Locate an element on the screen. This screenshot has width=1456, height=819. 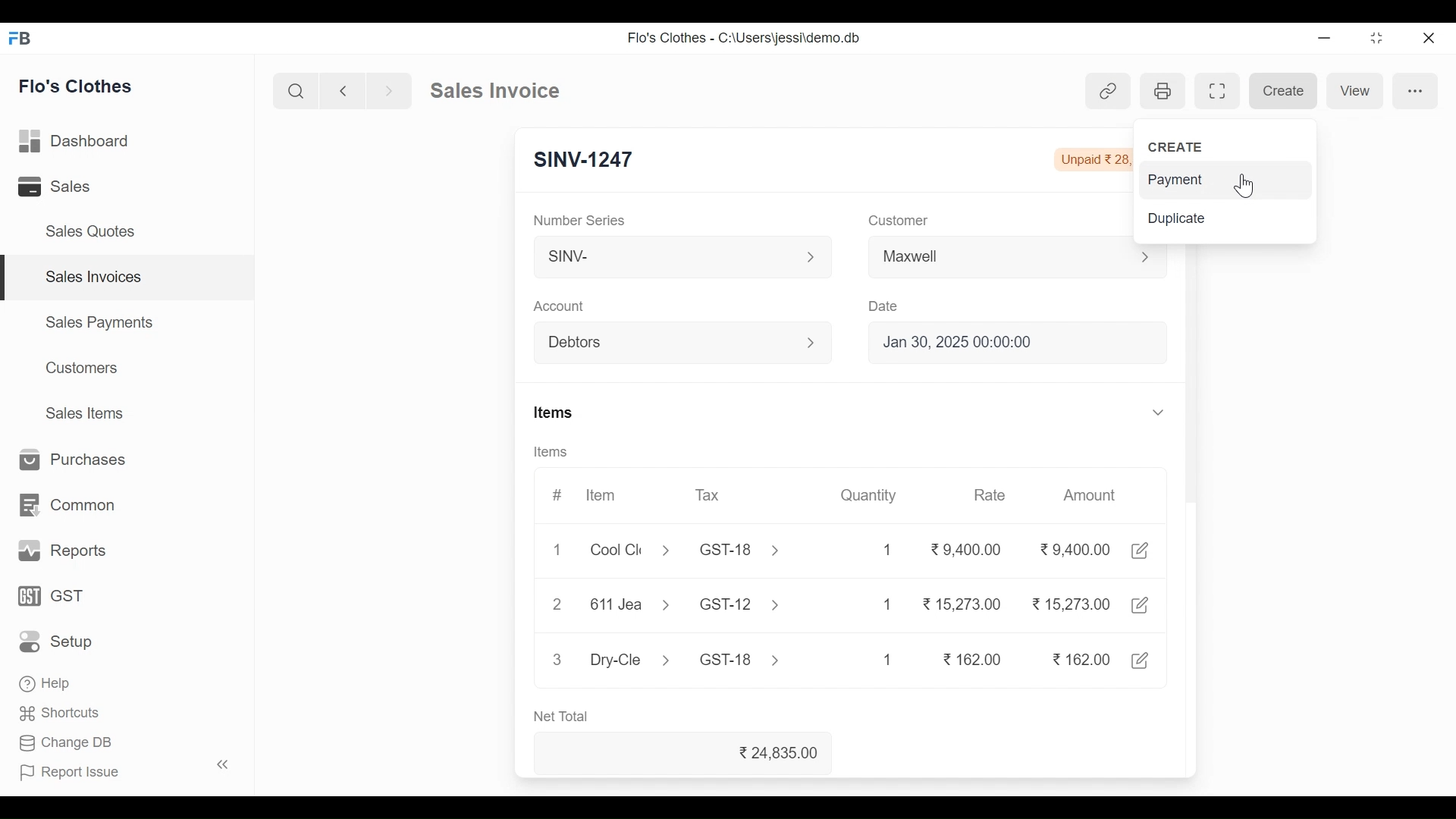
Payment  is located at coordinates (1227, 180).